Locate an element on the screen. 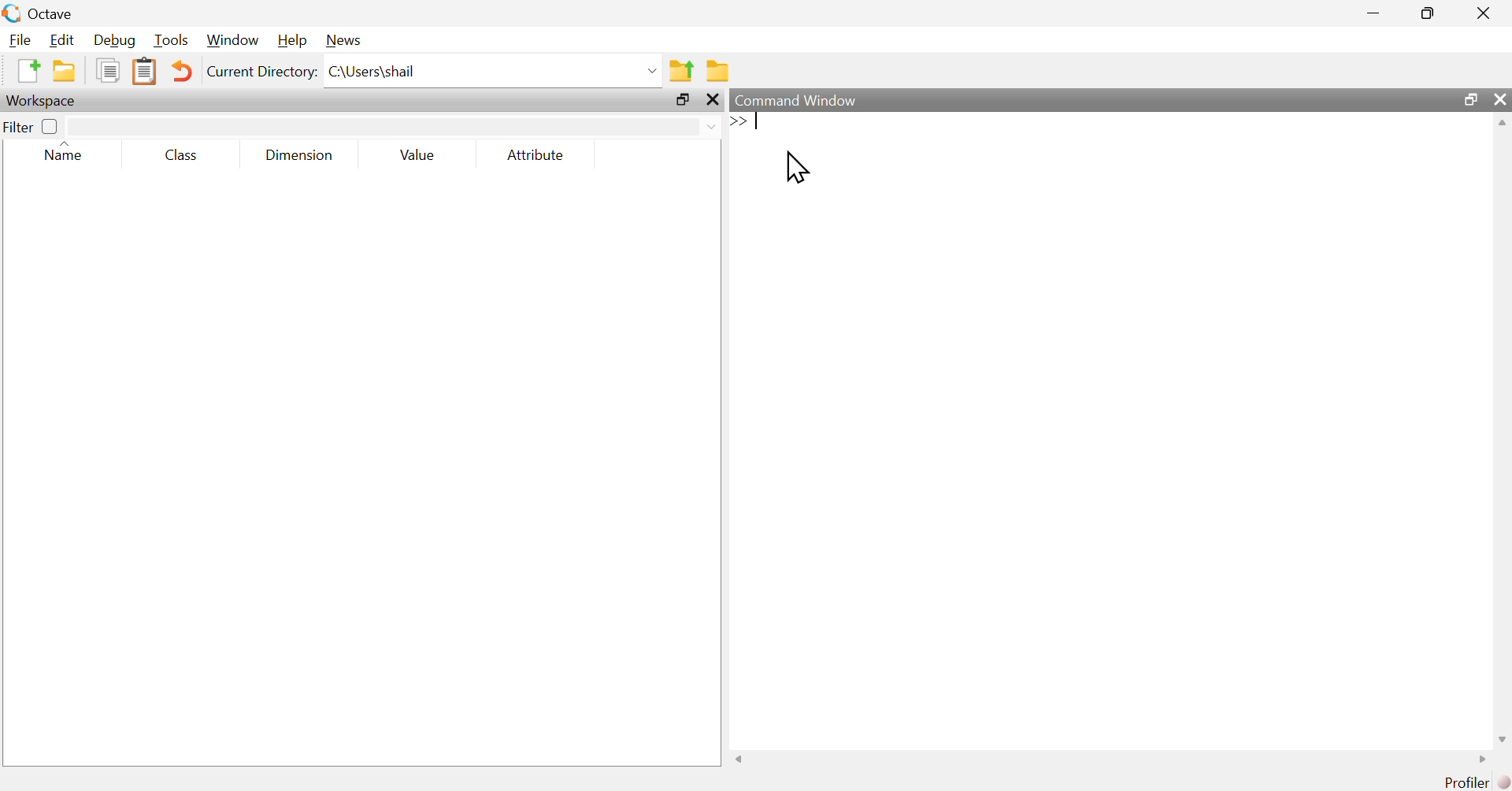 Image resolution: width=1512 pixels, height=791 pixels. close is located at coordinates (1484, 11).